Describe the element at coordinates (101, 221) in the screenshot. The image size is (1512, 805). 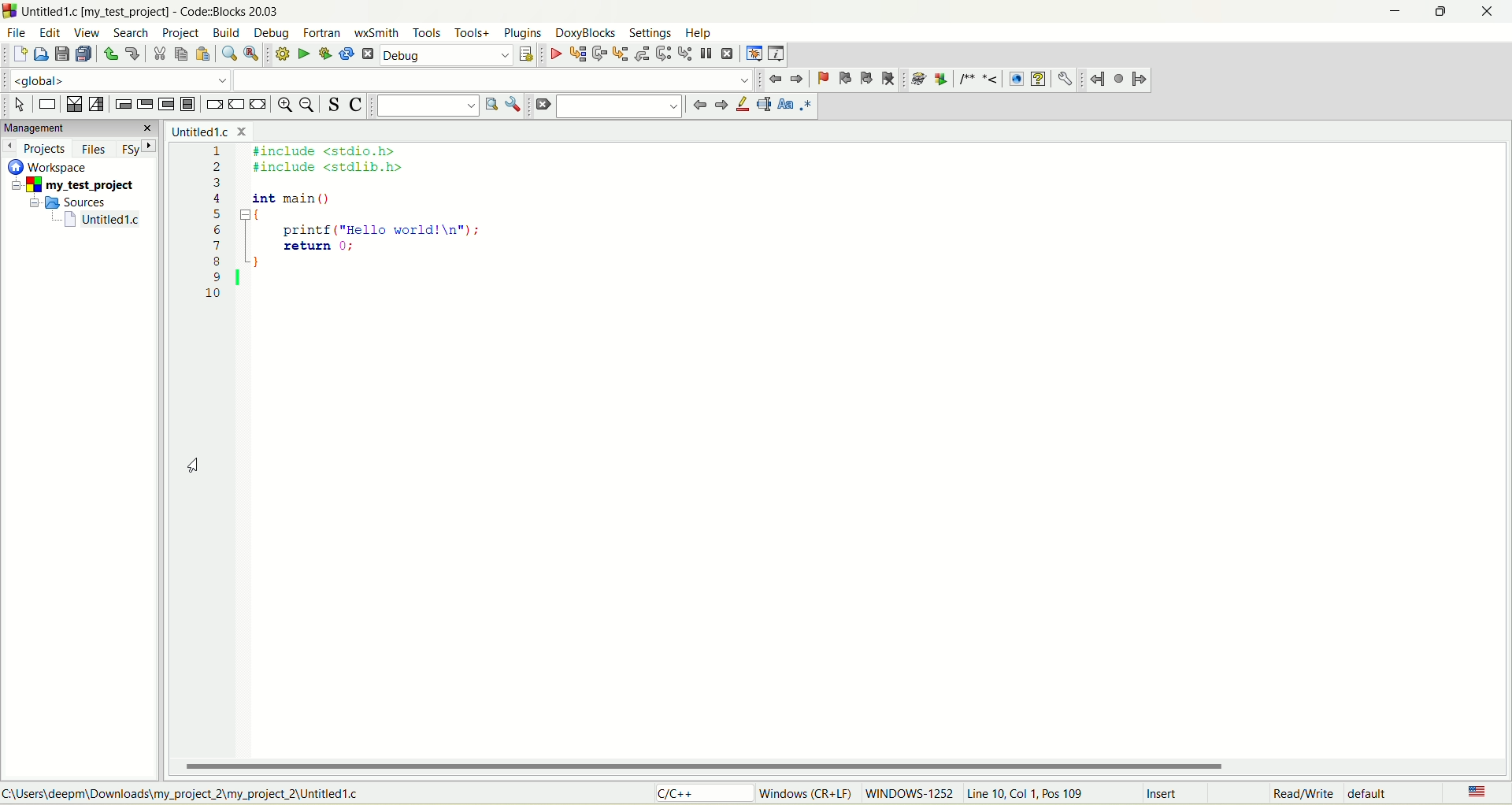
I see `untitled` at that location.